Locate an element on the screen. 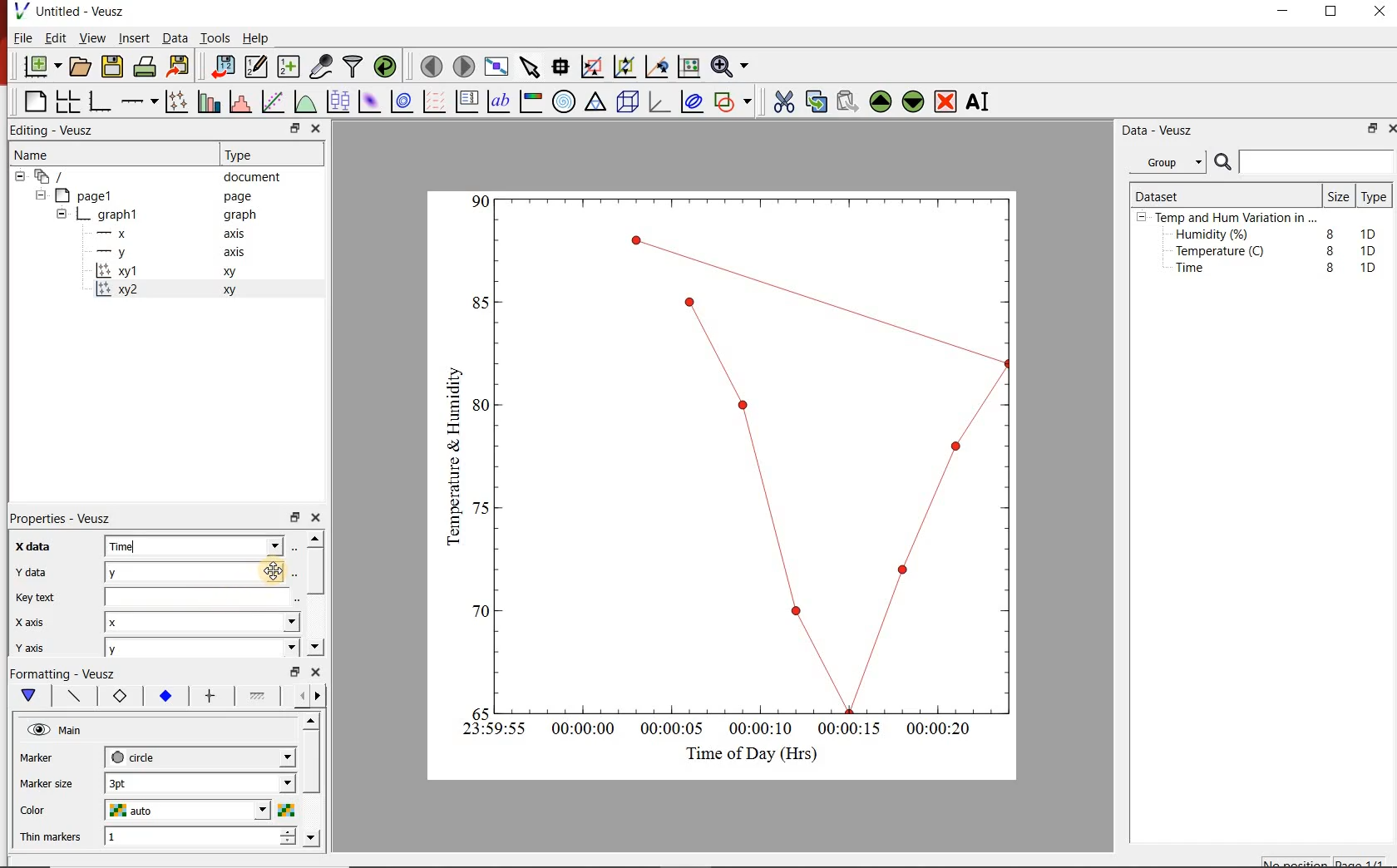 The width and height of the screenshot is (1397, 868). import data into Veusz is located at coordinates (222, 65).